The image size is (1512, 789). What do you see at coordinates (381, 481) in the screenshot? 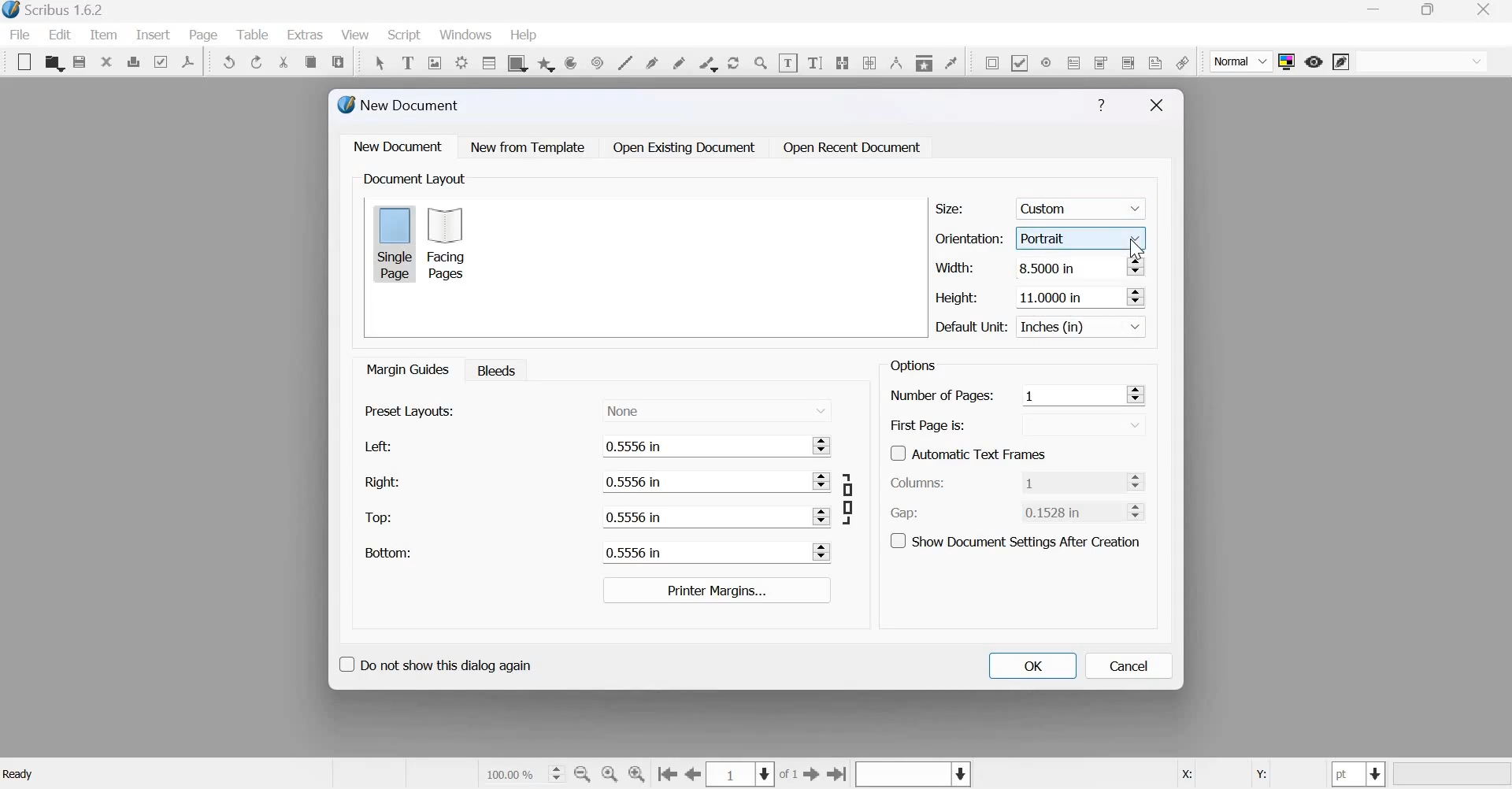
I see `Right:` at bounding box center [381, 481].